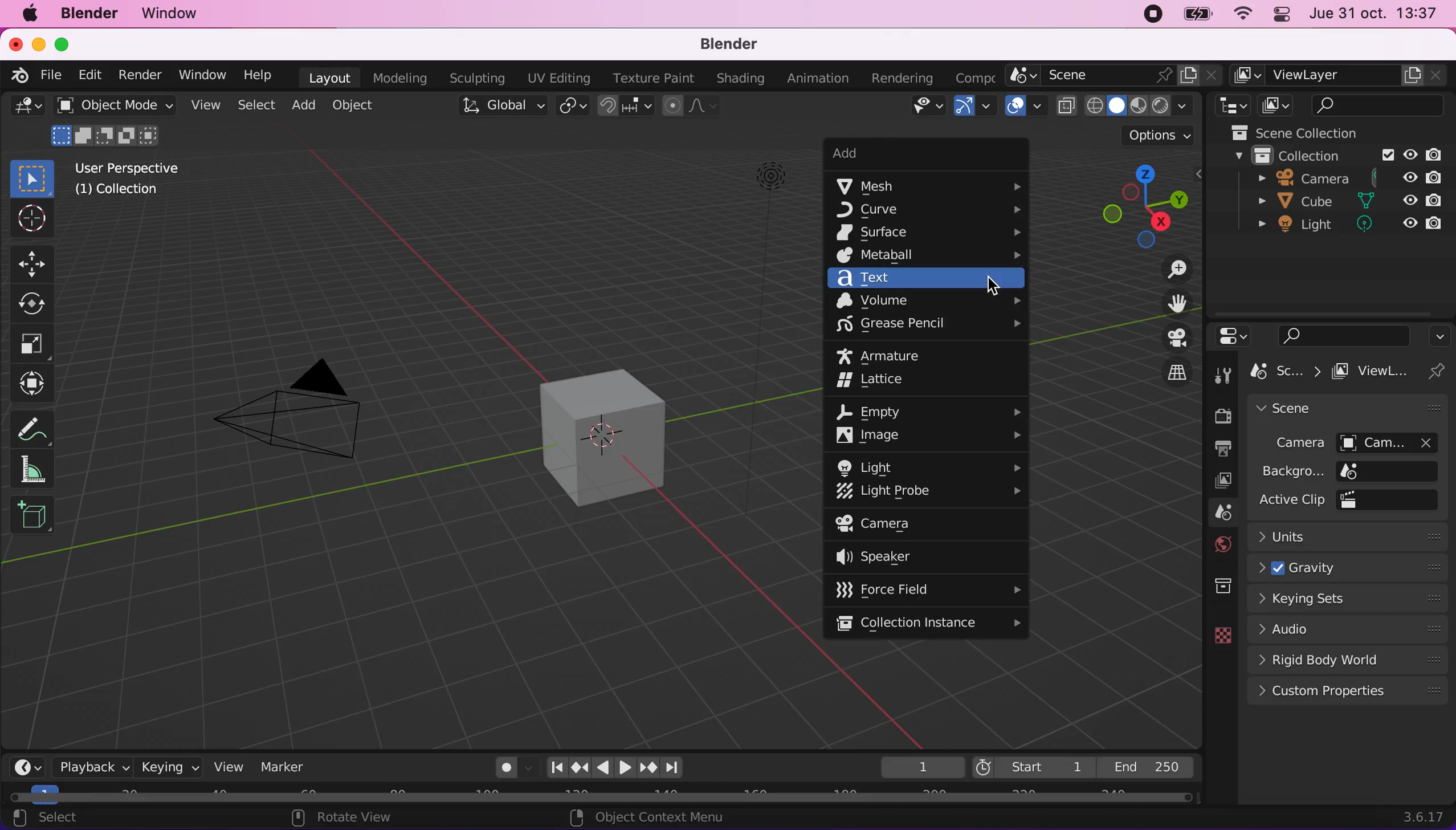 Image resolution: width=1456 pixels, height=830 pixels. Describe the element at coordinates (36, 423) in the screenshot. I see `annotate` at that location.